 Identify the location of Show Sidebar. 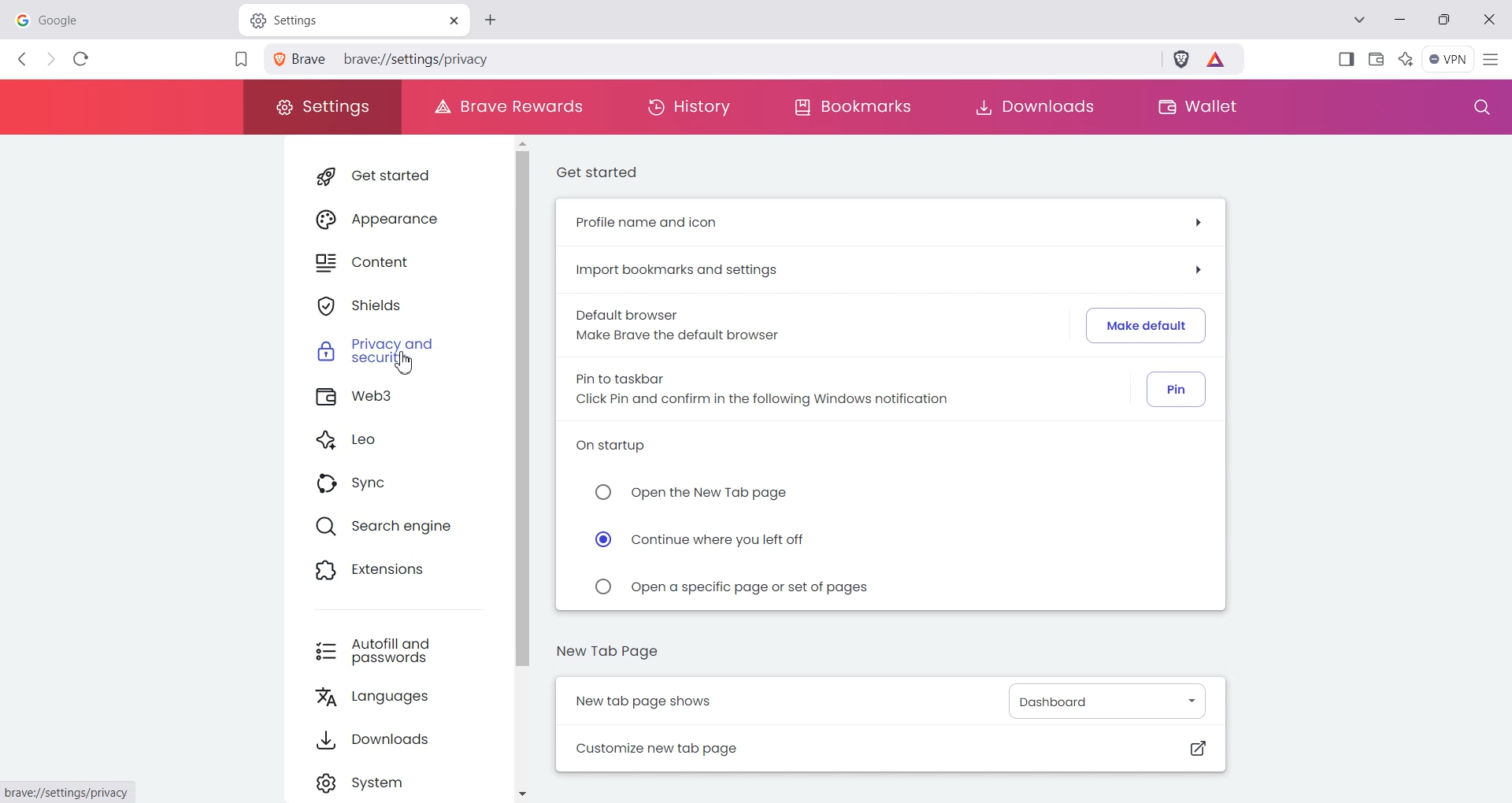
(1347, 58).